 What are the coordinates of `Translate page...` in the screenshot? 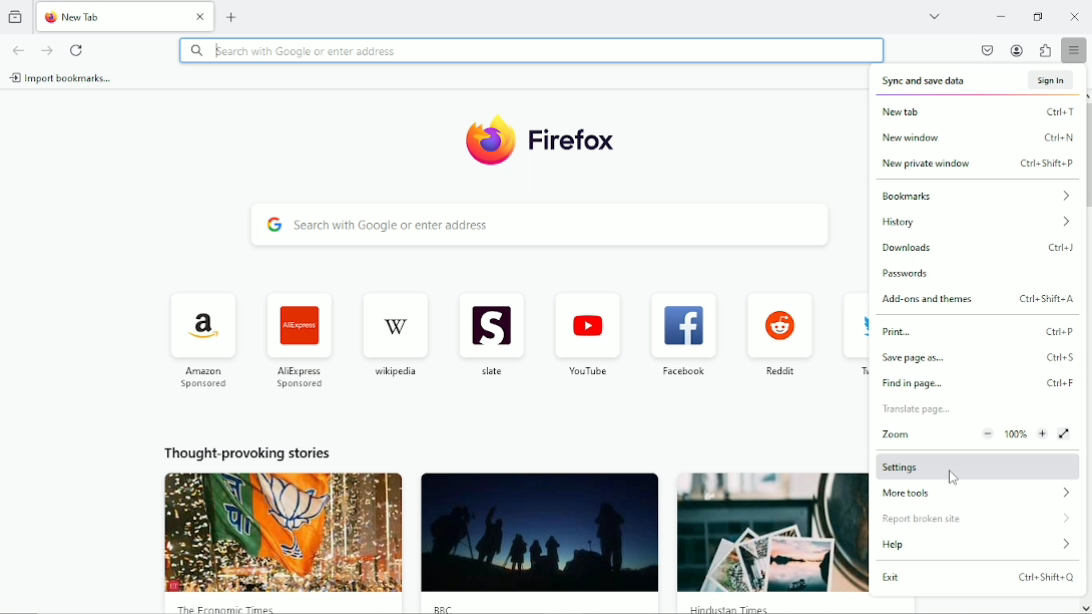 It's located at (922, 409).